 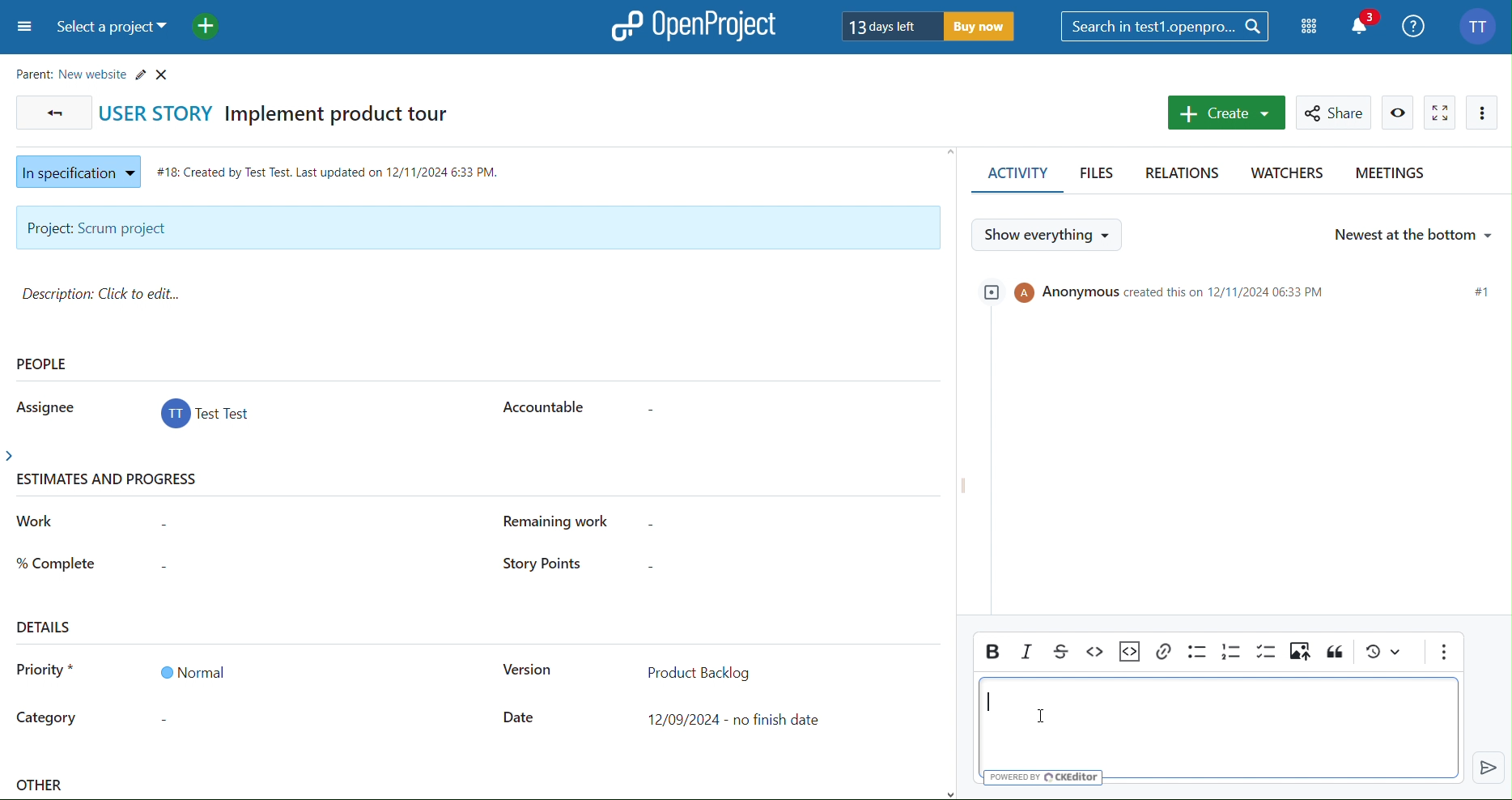 What do you see at coordinates (1365, 24) in the screenshot?
I see `Notifications` at bounding box center [1365, 24].